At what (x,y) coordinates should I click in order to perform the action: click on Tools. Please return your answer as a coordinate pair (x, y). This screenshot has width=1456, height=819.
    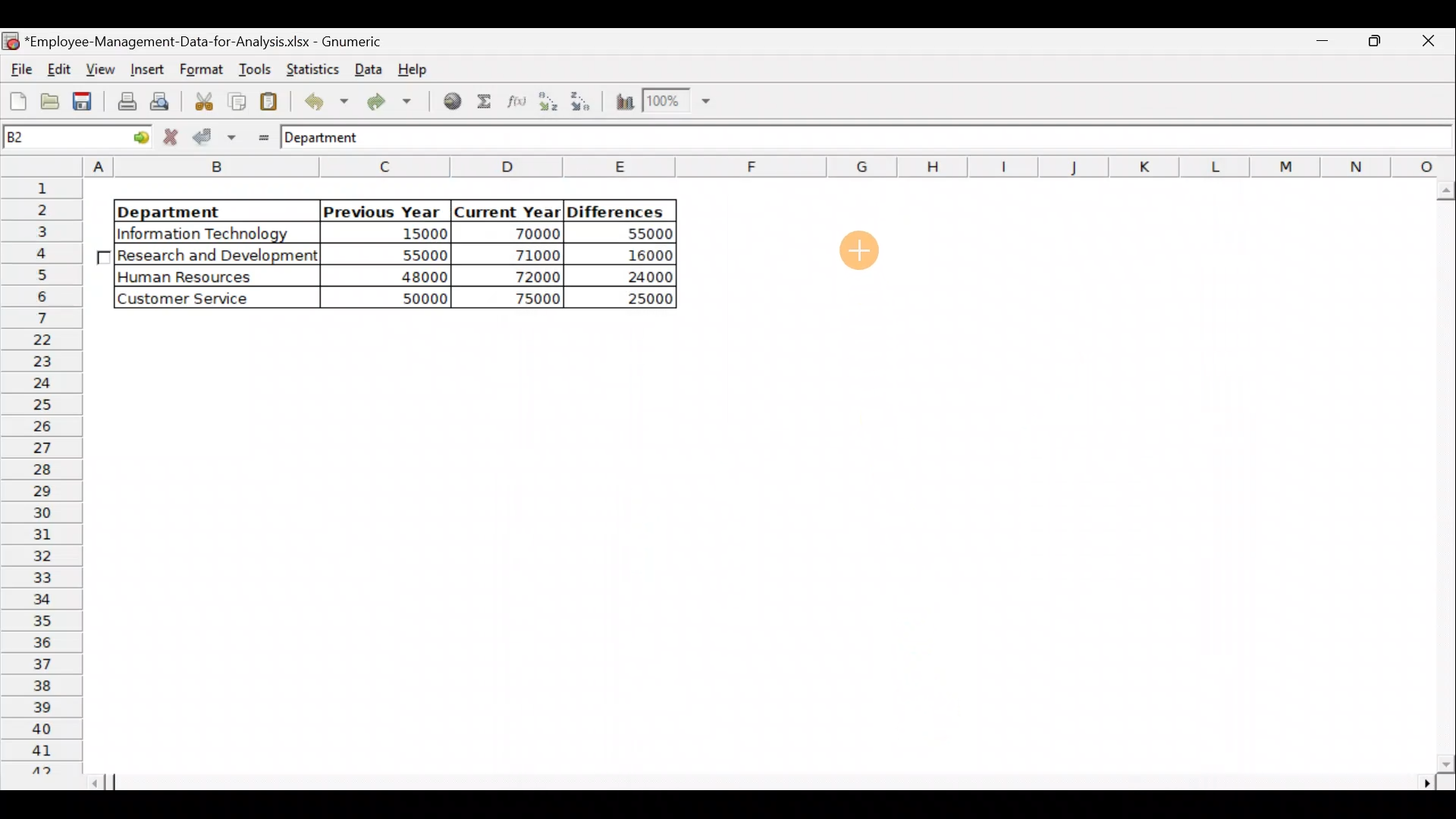
    Looking at the image, I should click on (251, 68).